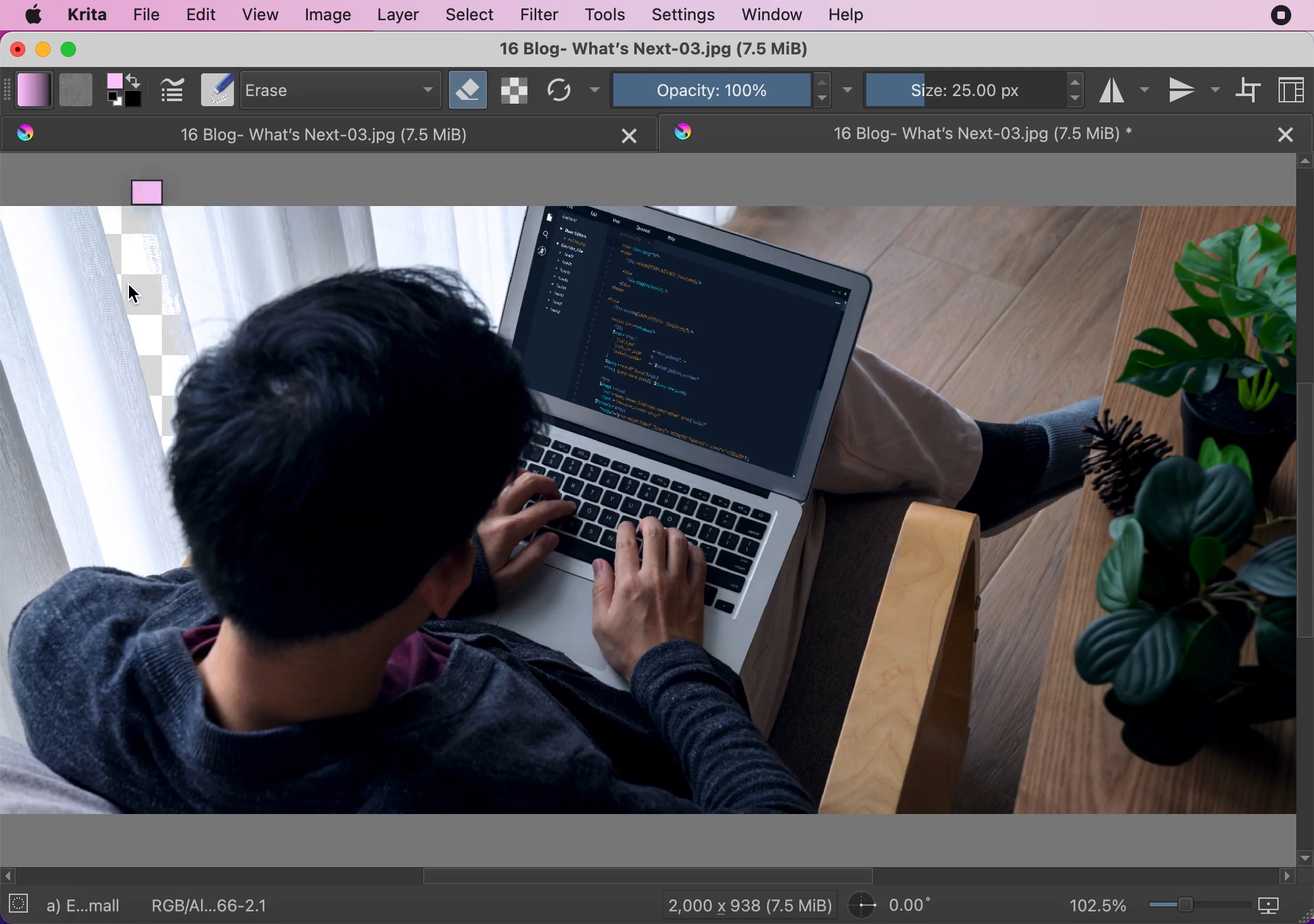 The width and height of the screenshot is (1314, 924). What do you see at coordinates (707, 89) in the screenshot?
I see `opacity: 100%` at bounding box center [707, 89].